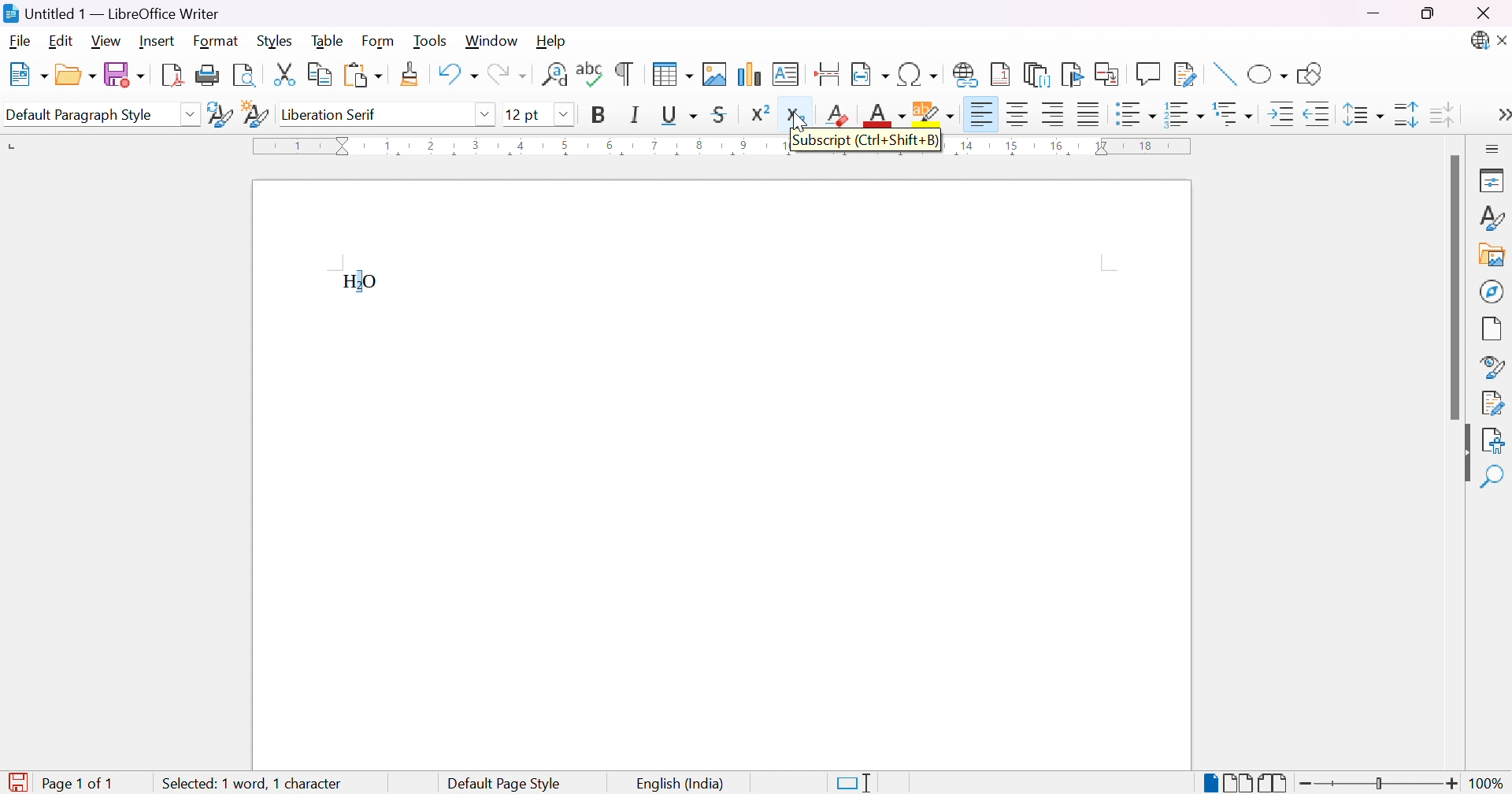 This screenshot has width=1512, height=794. What do you see at coordinates (829, 74) in the screenshot?
I see `Insert page break` at bounding box center [829, 74].